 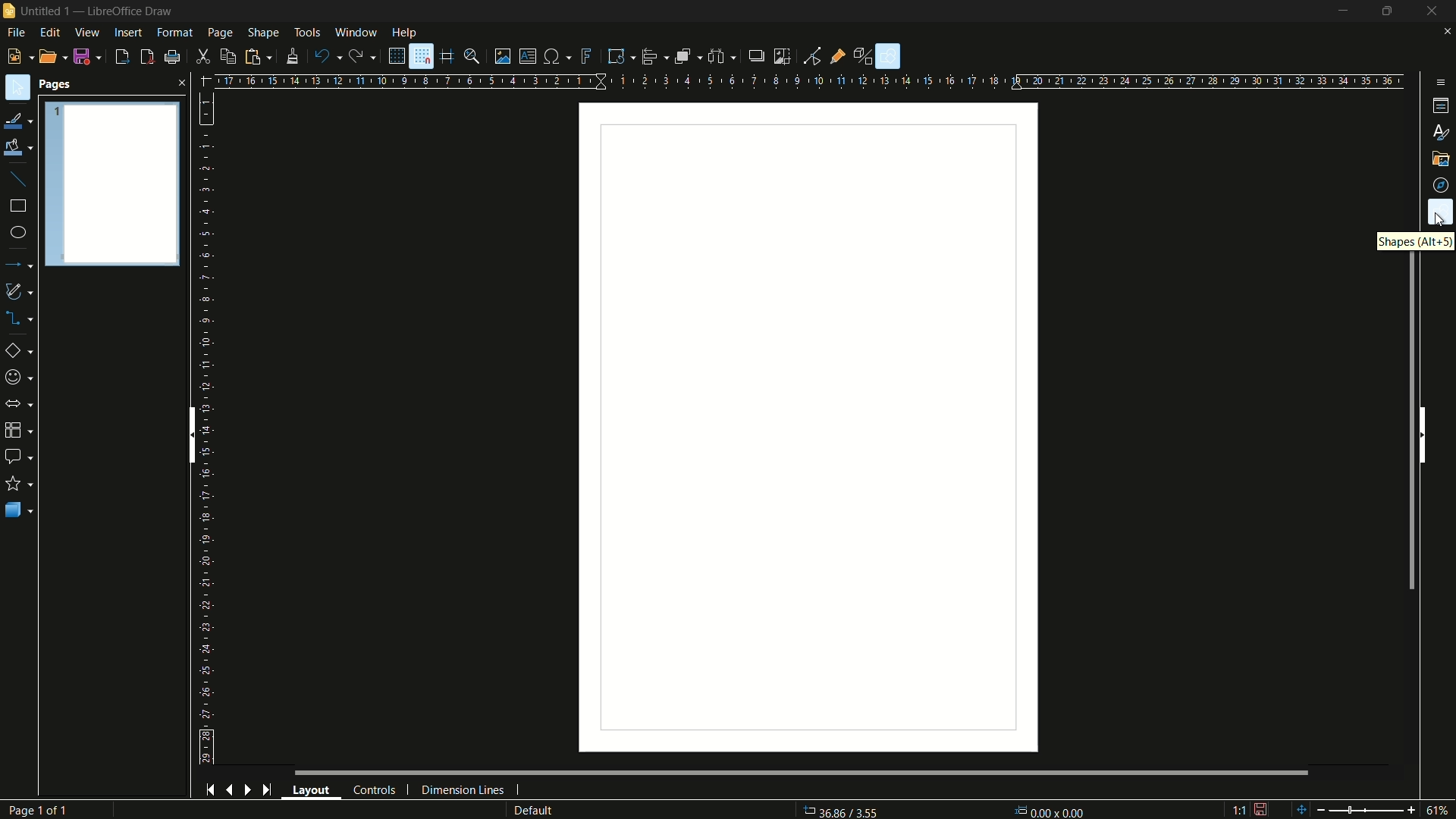 I want to click on workspace, so click(x=807, y=426).